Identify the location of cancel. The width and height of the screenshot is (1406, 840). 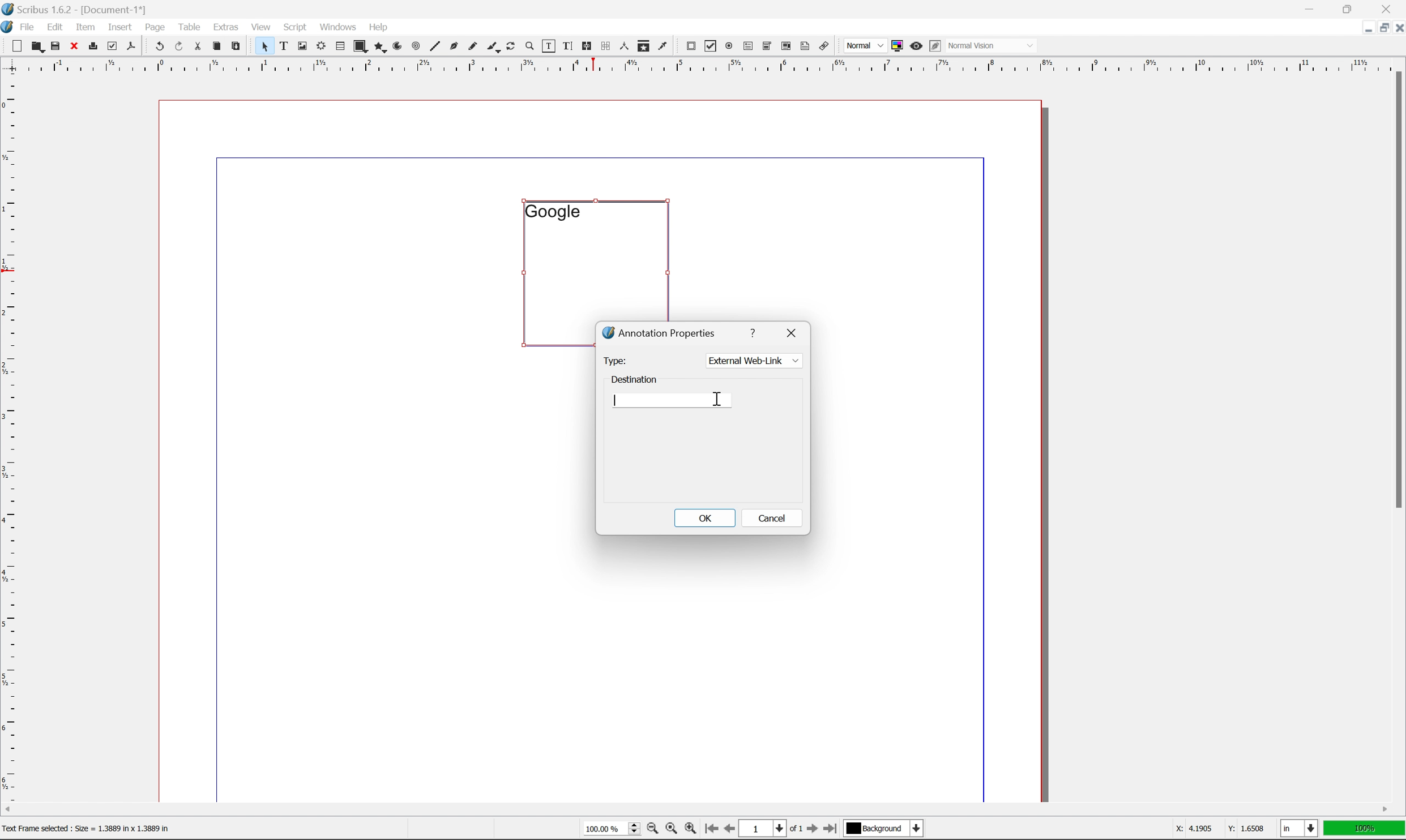
(772, 520).